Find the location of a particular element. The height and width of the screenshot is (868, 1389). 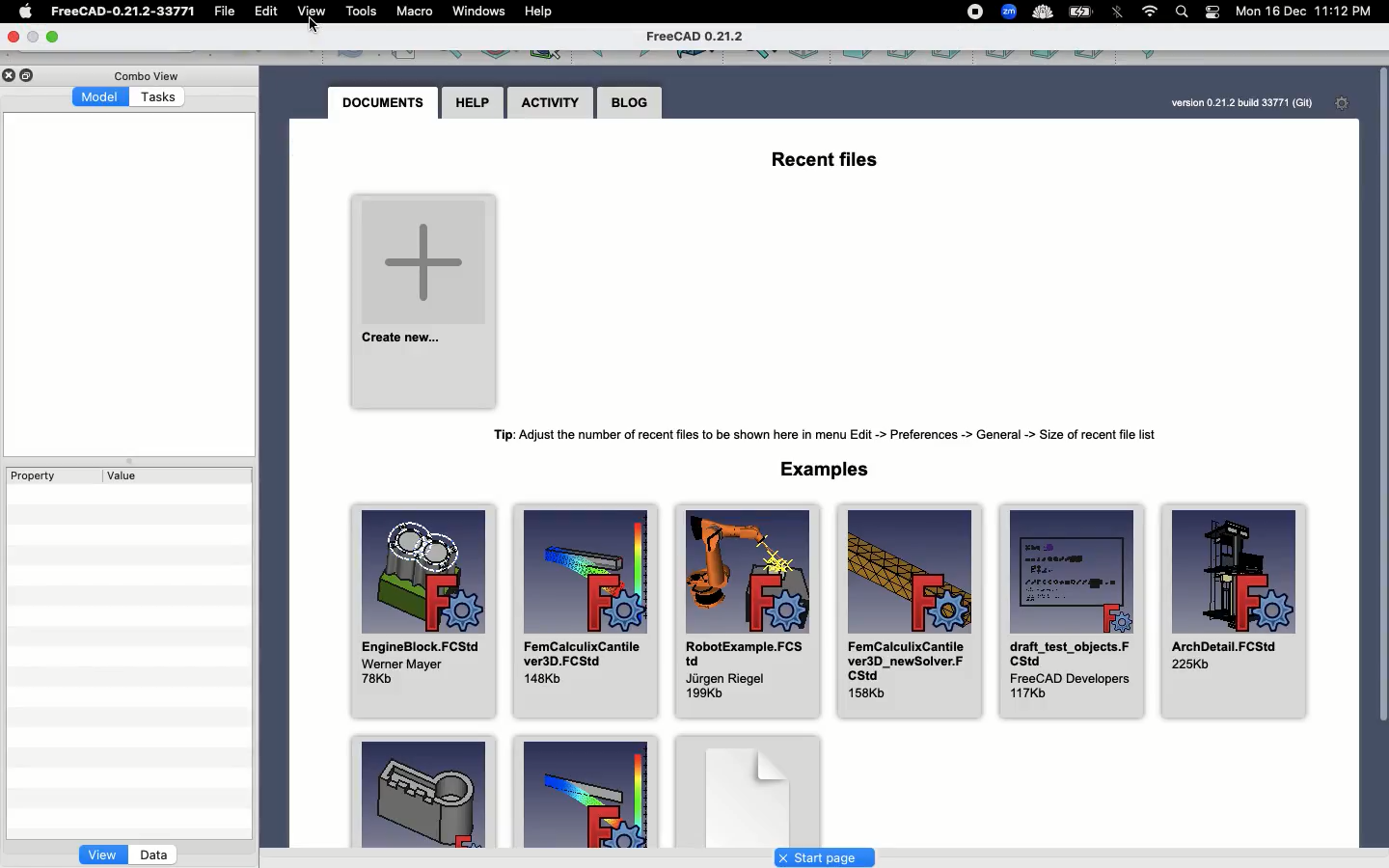

Data is located at coordinates (153, 854).